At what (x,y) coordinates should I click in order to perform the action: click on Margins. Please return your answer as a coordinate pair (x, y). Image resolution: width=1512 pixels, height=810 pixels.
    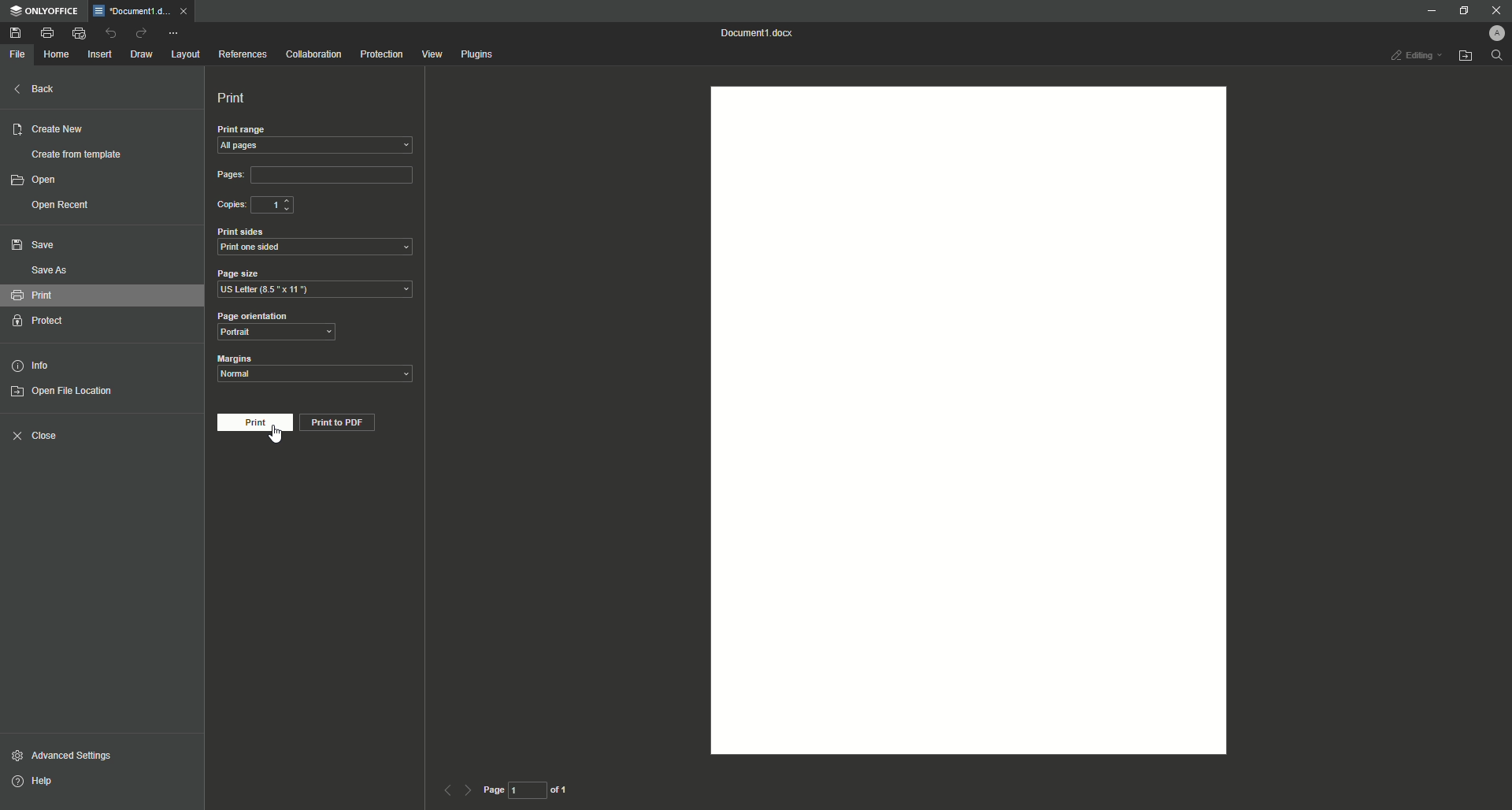
    Looking at the image, I should click on (236, 359).